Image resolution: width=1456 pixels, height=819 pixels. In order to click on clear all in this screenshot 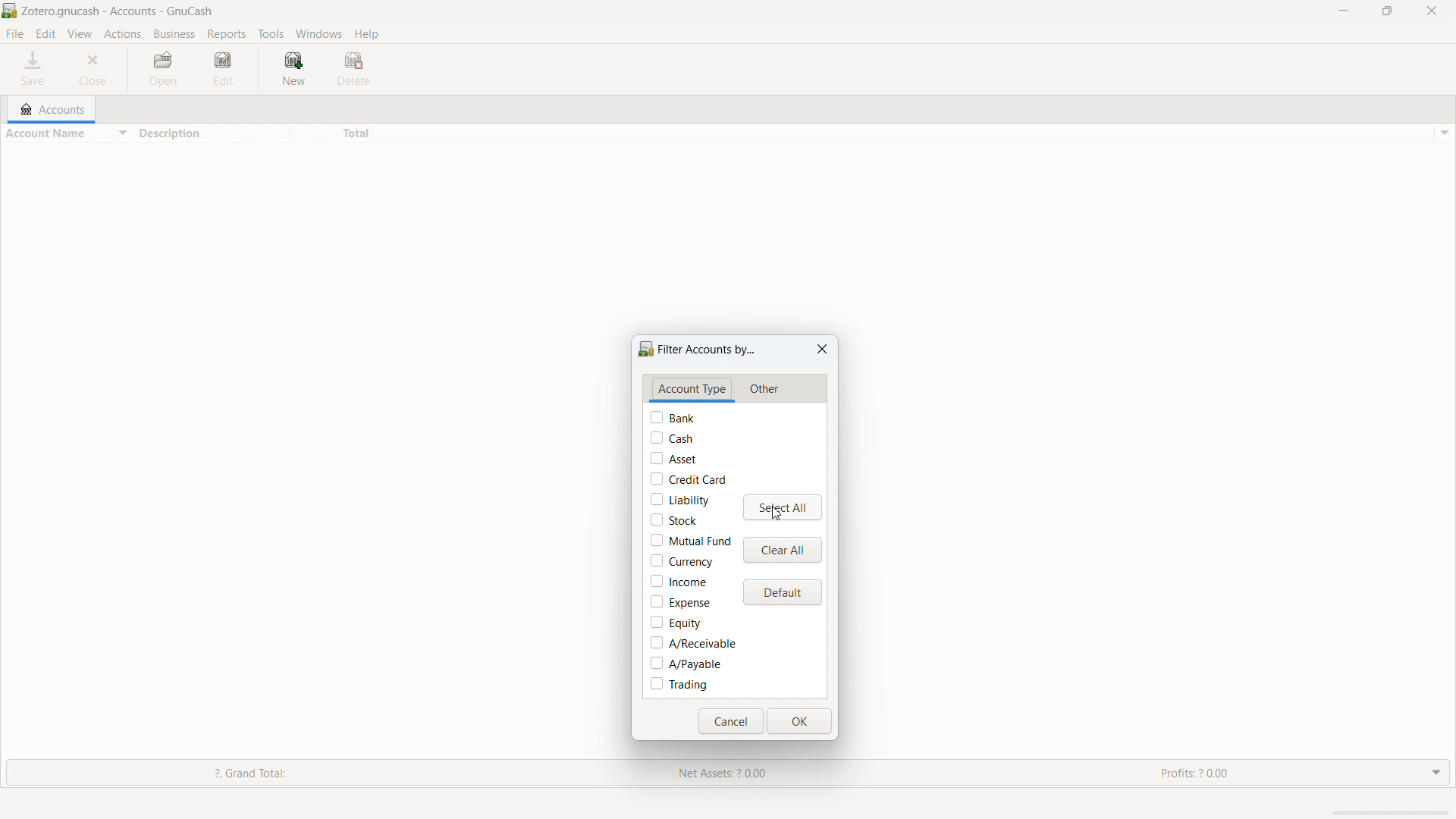, I will do `click(783, 550)`.